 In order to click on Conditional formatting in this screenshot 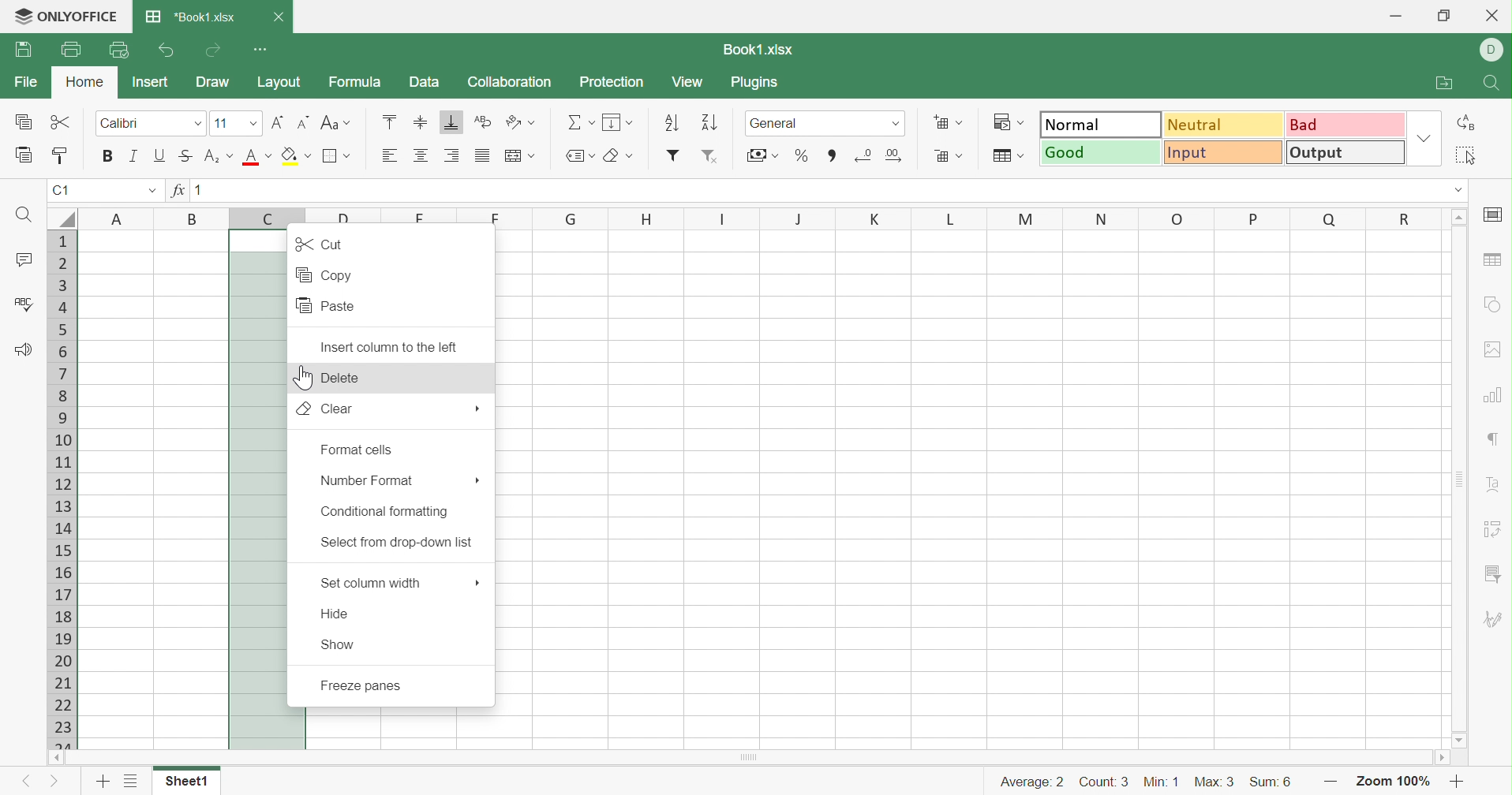, I will do `click(384, 512)`.